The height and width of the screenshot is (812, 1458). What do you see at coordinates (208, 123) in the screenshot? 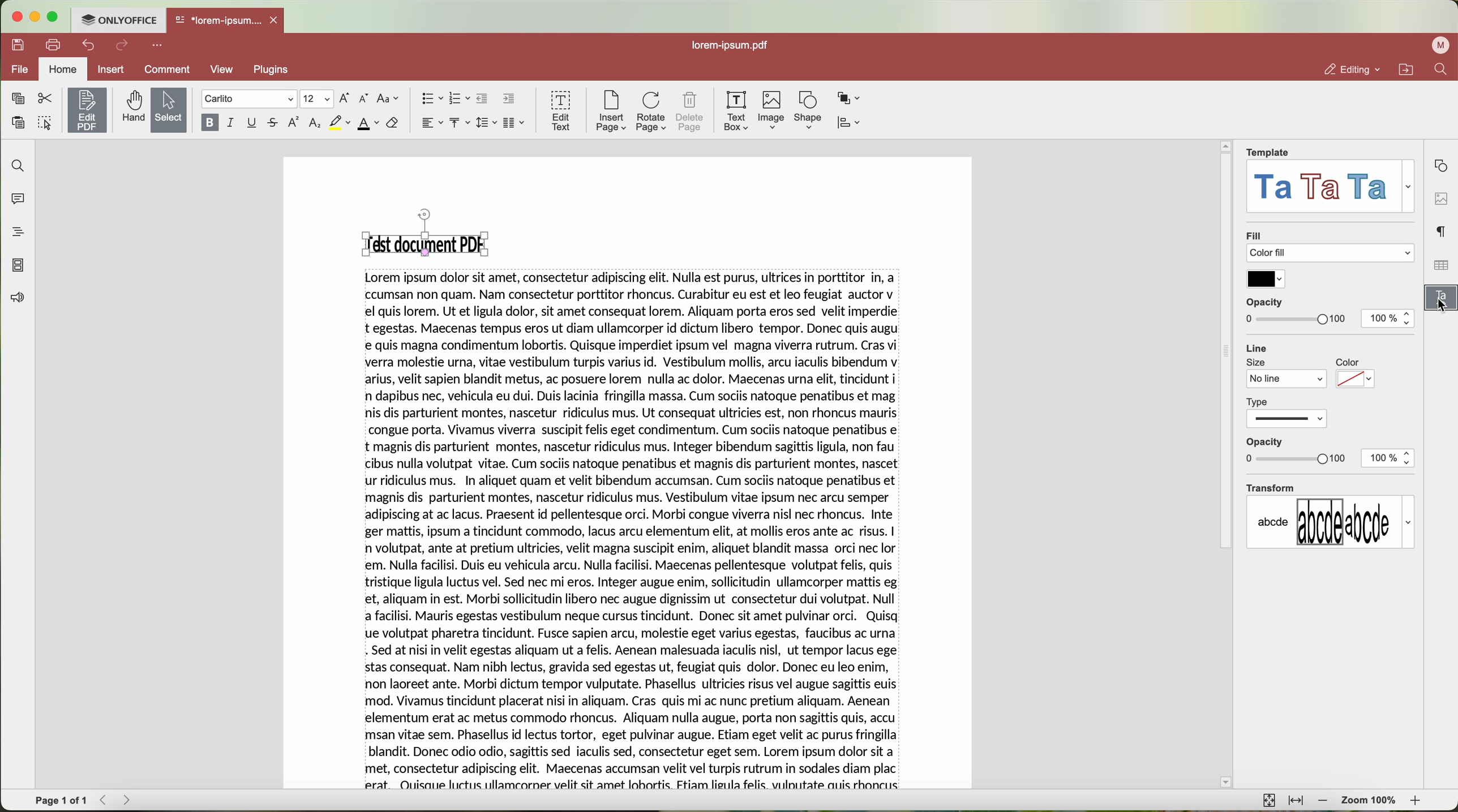
I see `bold` at bounding box center [208, 123].